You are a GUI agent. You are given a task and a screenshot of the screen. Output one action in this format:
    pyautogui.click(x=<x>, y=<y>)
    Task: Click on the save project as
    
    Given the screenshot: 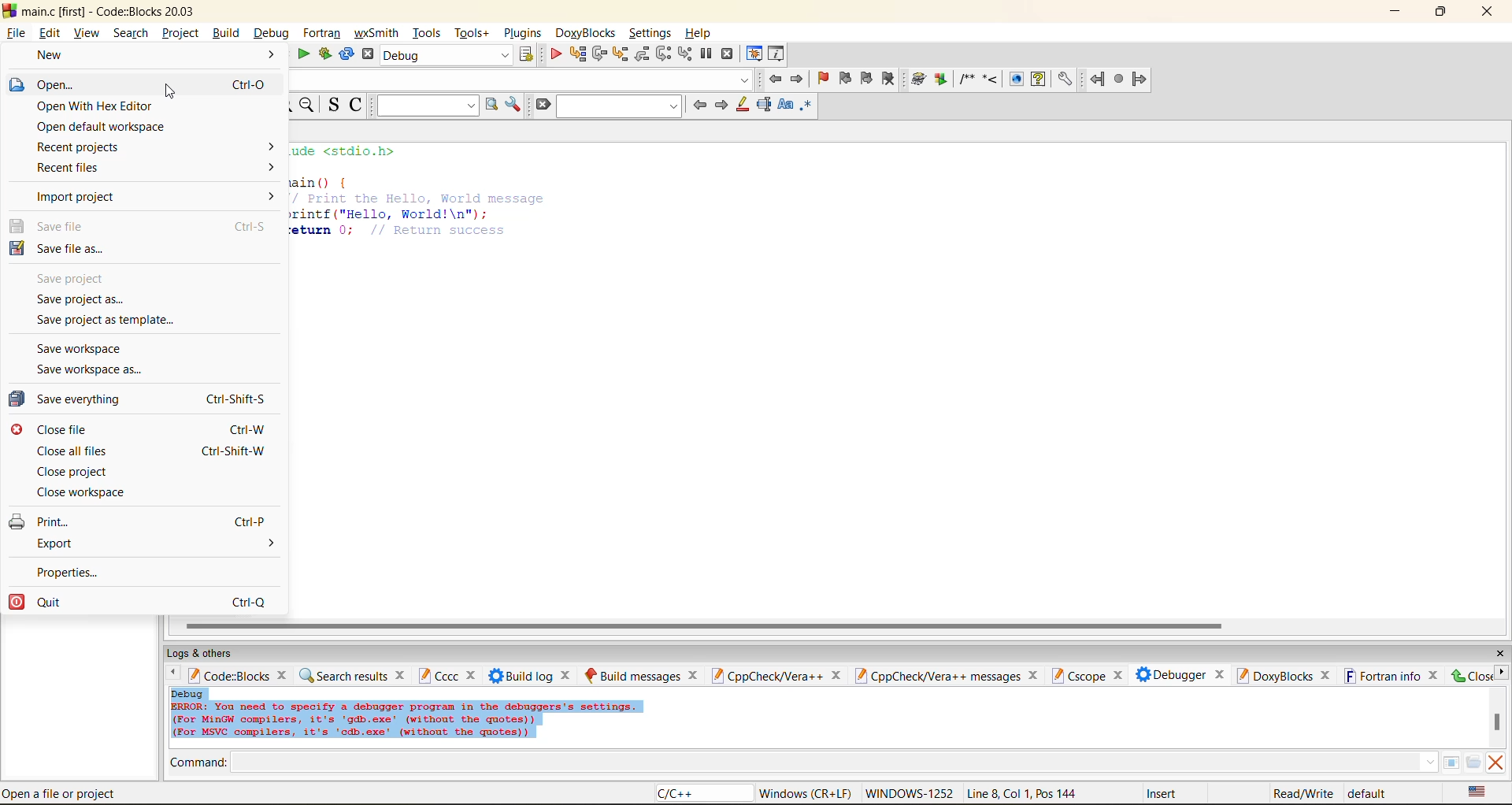 What is the action you would take?
    pyautogui.click(x=87, y=300)
    